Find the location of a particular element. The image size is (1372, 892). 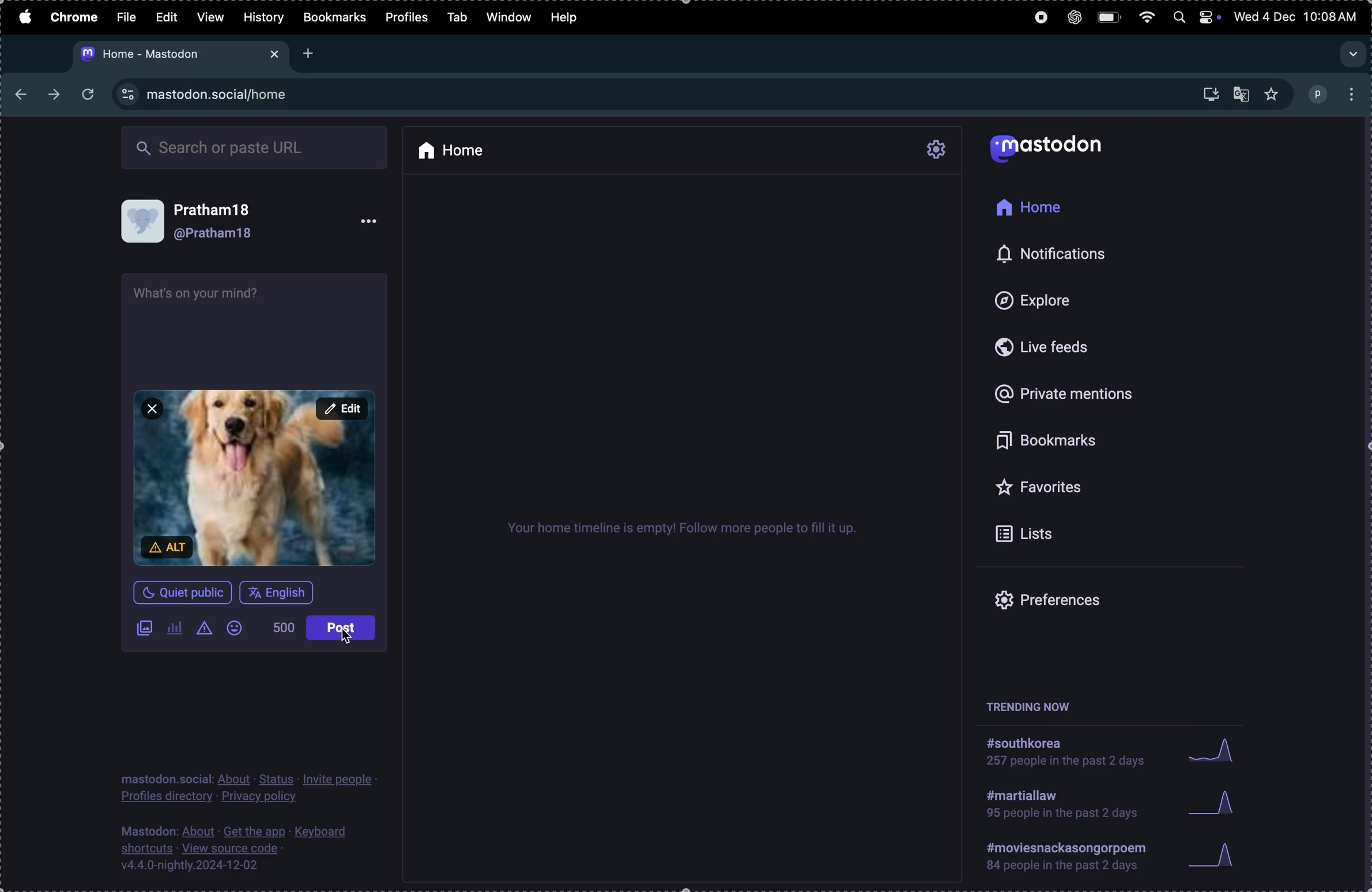

profiles is located at coordinates (406, 18).